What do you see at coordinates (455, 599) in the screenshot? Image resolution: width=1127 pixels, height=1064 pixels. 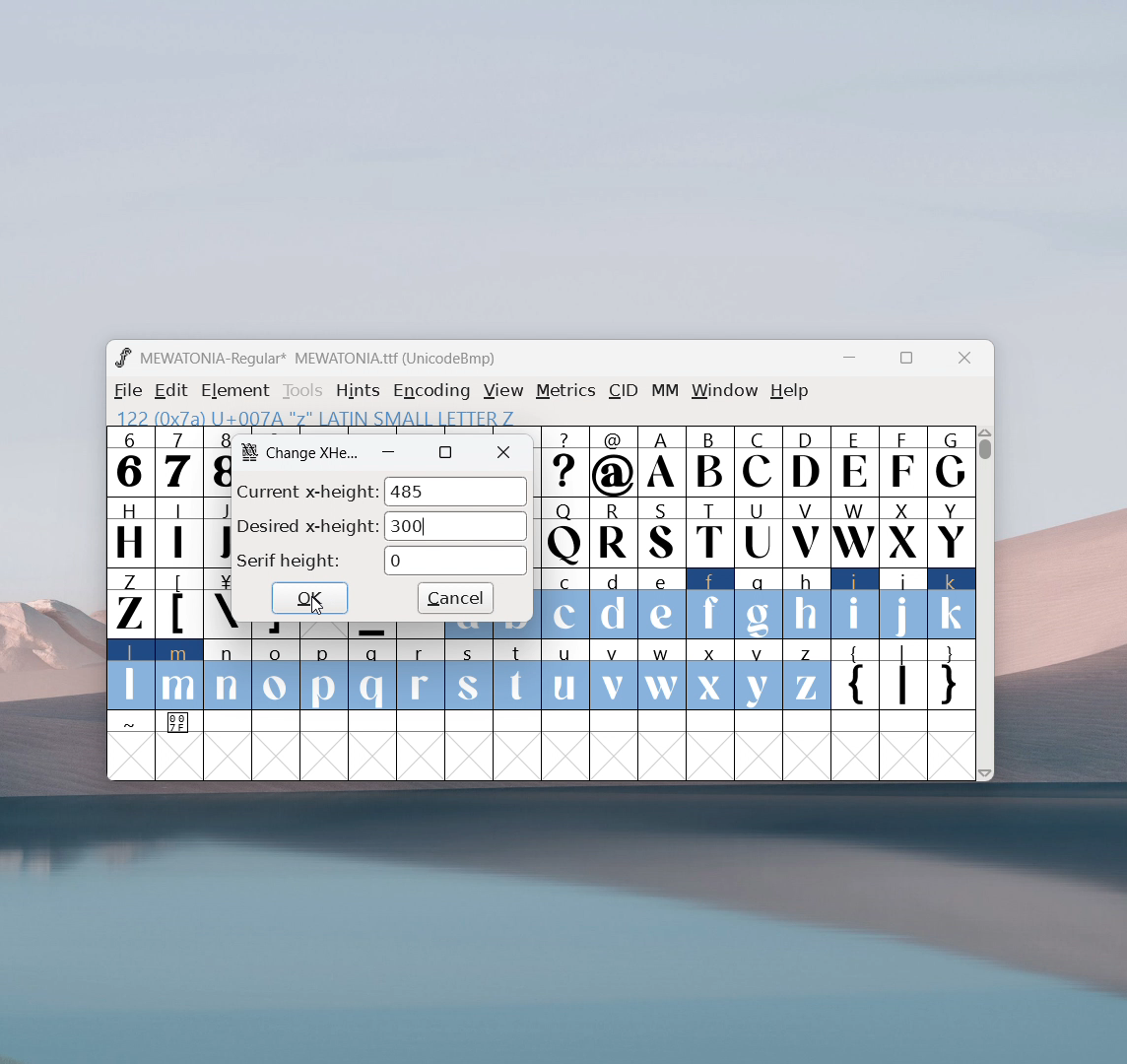 I see `cancel` at bounding box center [455, 599].